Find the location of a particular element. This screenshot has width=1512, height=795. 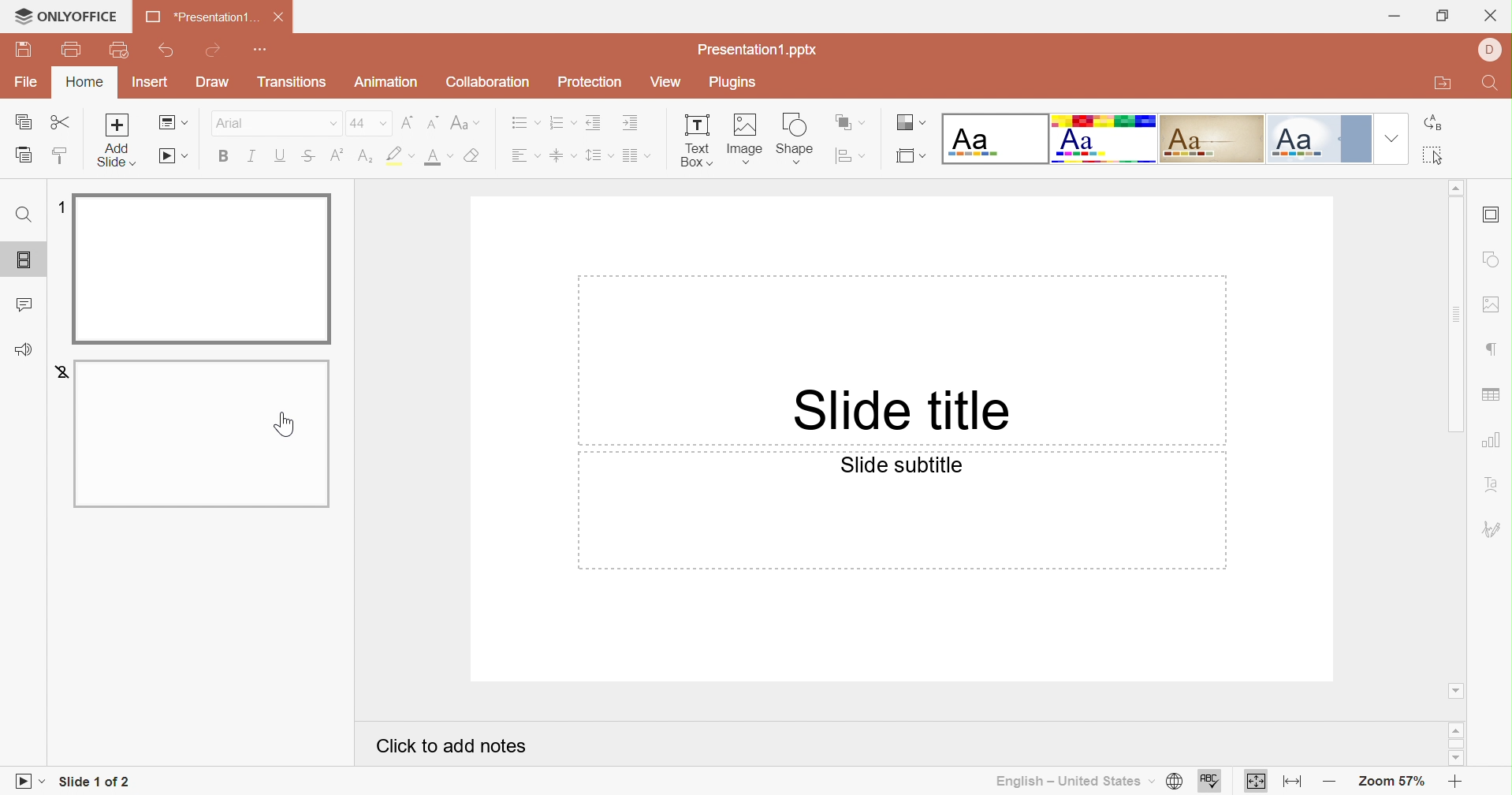

Feedback & Support is located at coordinates (23, 352).